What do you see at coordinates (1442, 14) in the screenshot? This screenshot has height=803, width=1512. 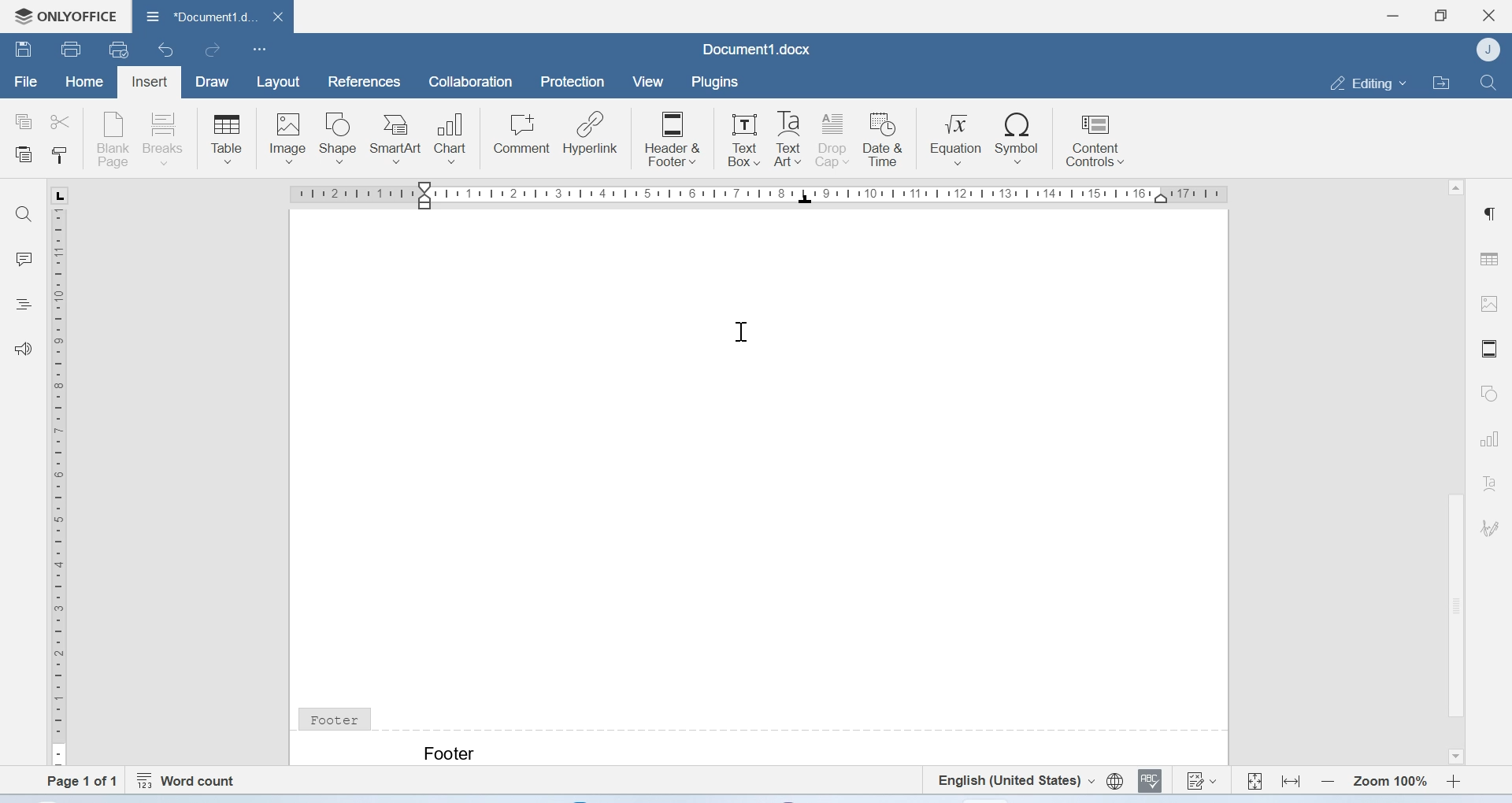 I see `Maximize` at bounding box center [1442, 14].